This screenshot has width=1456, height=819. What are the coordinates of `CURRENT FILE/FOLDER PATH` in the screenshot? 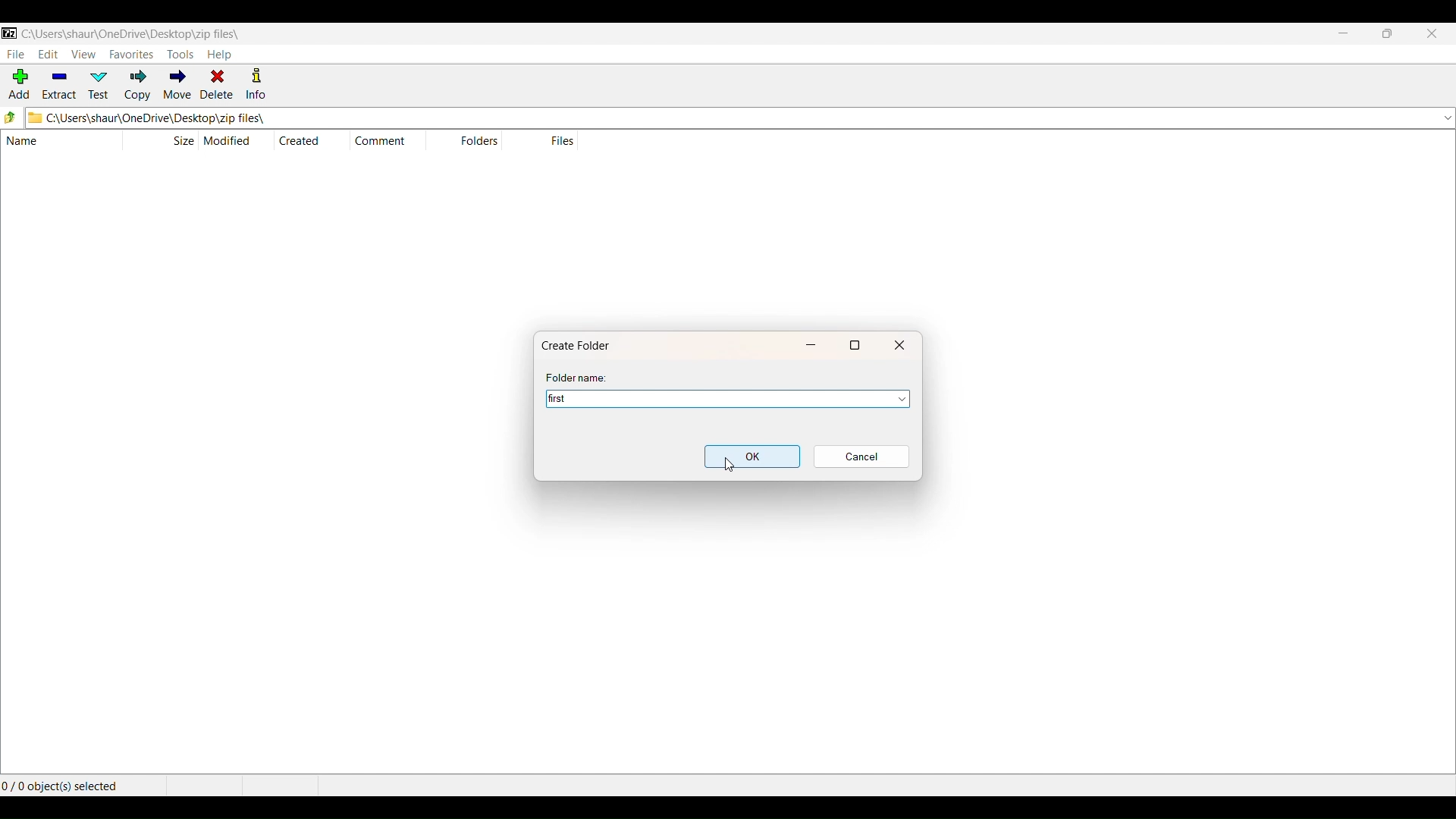 It's located at (130, 32).